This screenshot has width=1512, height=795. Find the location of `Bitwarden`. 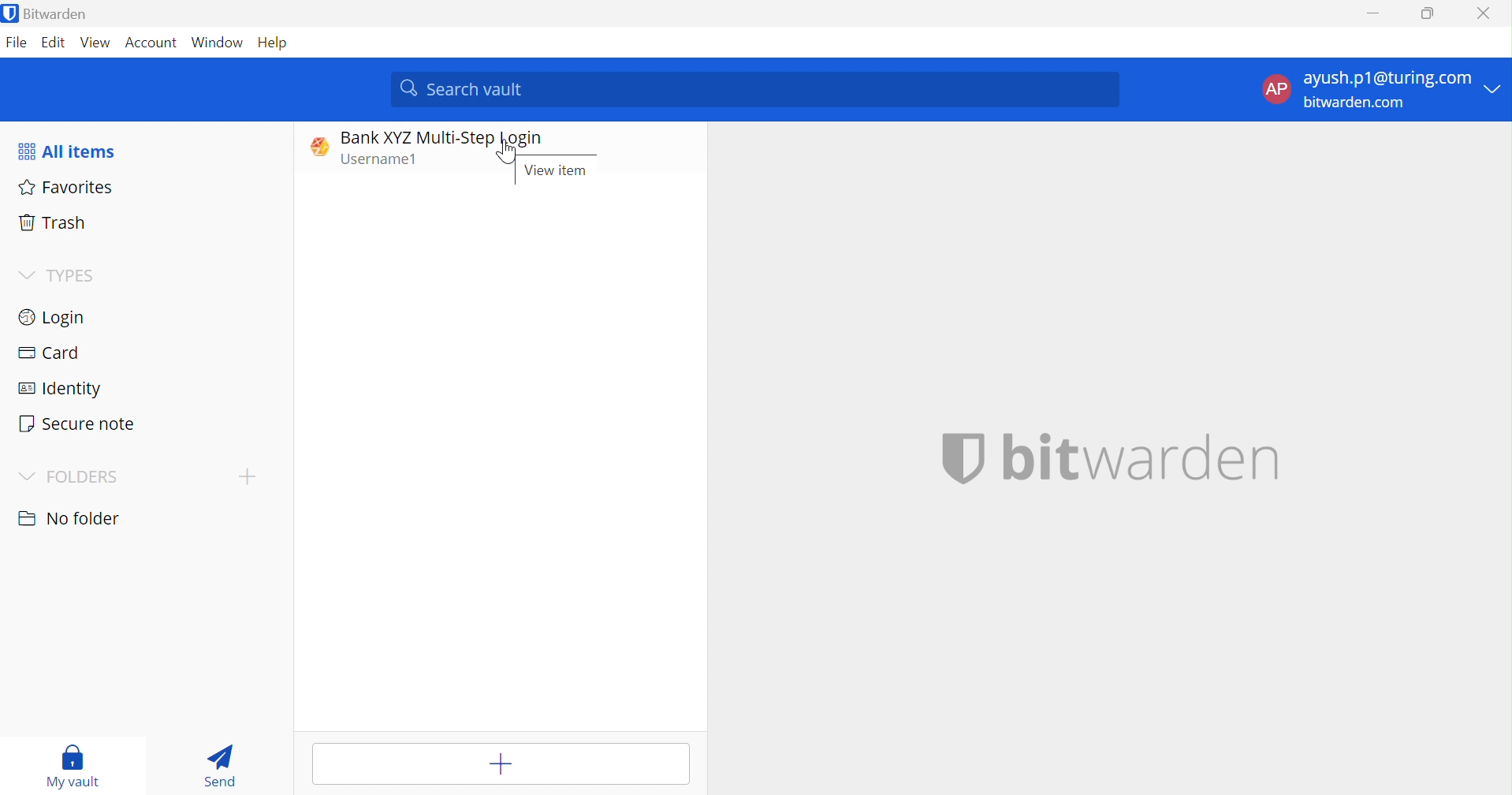

Bitwarden is located at coordinates (49, 15).